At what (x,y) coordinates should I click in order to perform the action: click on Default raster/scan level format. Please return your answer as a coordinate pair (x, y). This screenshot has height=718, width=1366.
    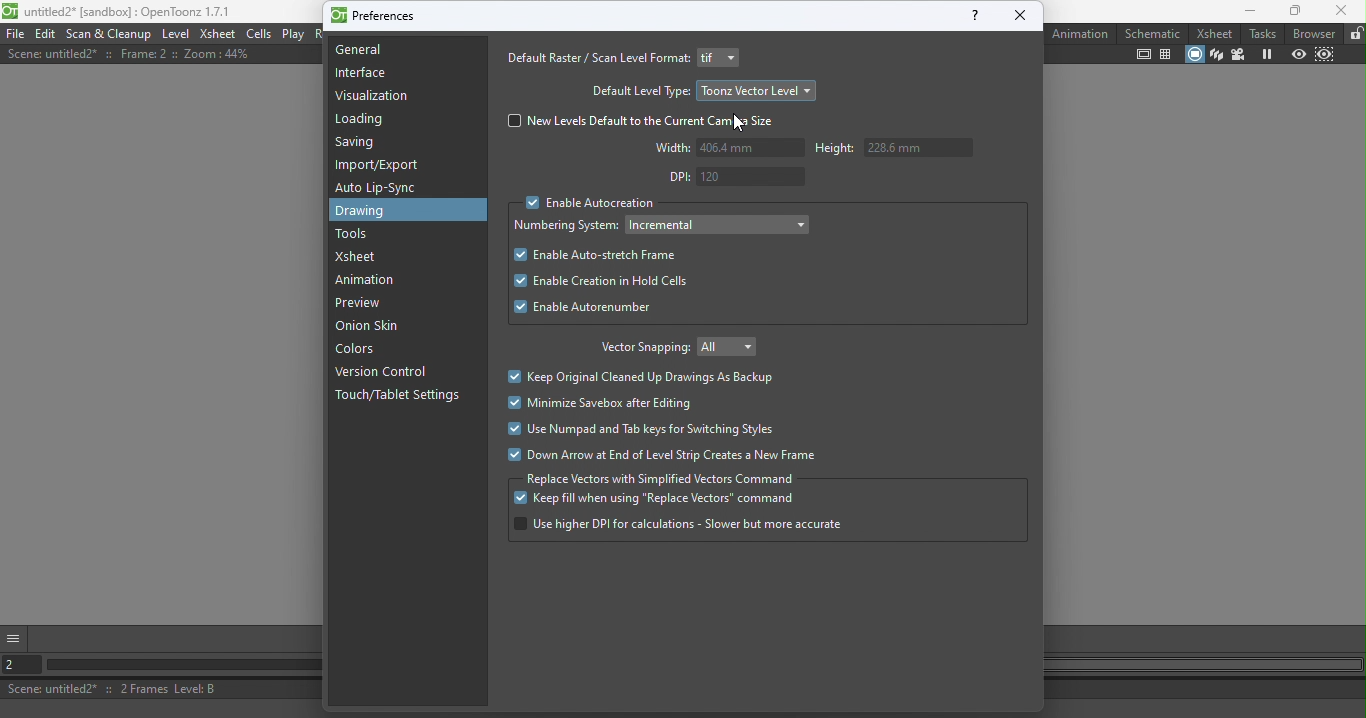
    Looking at the image, I should click on (597, 58).